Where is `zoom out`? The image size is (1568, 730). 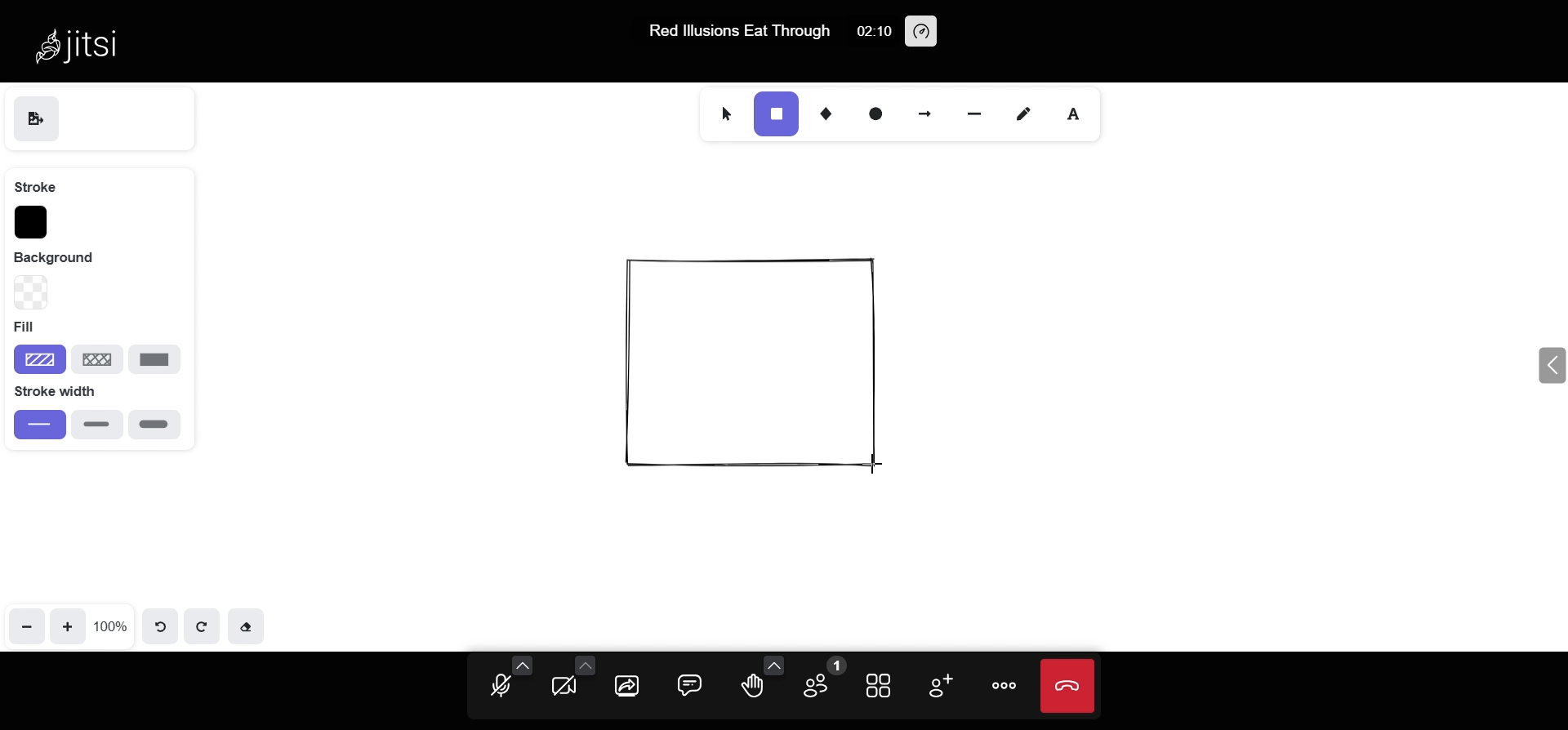 zoom out is located at coordinates (26, 625).